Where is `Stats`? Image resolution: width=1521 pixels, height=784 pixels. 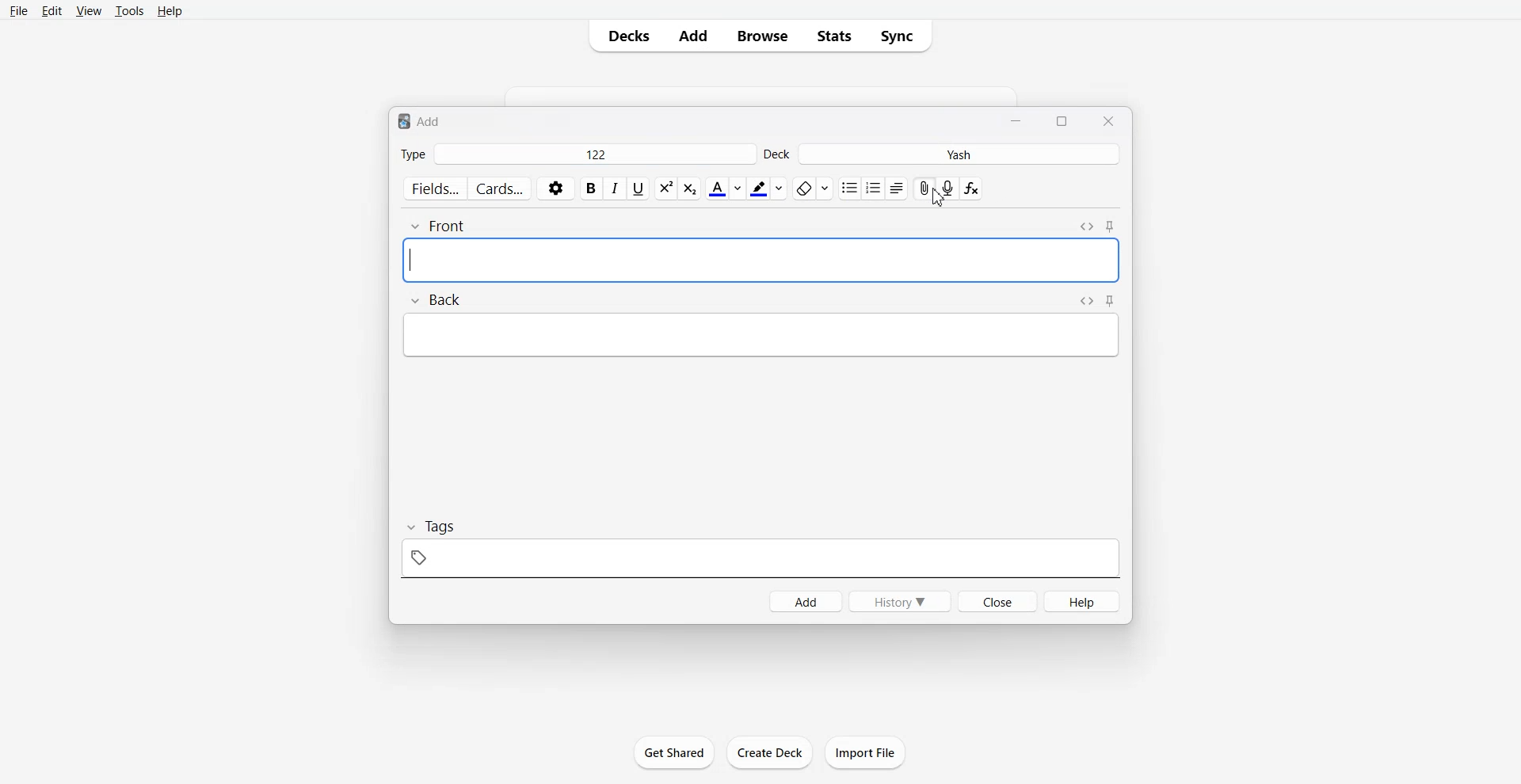
Stats is located at coordinates (836, 36).